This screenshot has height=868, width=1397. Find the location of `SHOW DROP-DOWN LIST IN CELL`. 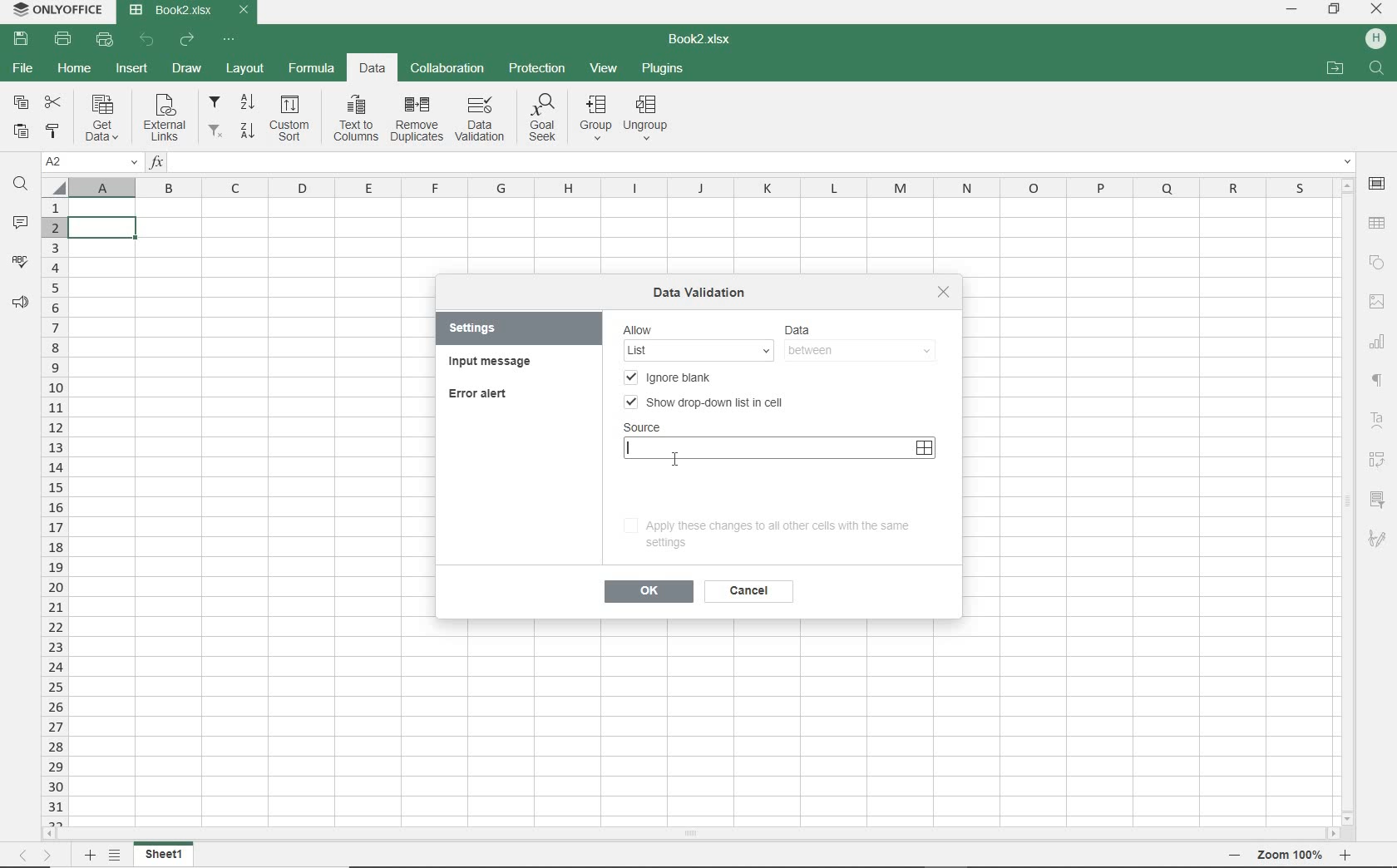

SHOW DROP-DOWN LIST IN CELL is located at coordinates (704, 401).